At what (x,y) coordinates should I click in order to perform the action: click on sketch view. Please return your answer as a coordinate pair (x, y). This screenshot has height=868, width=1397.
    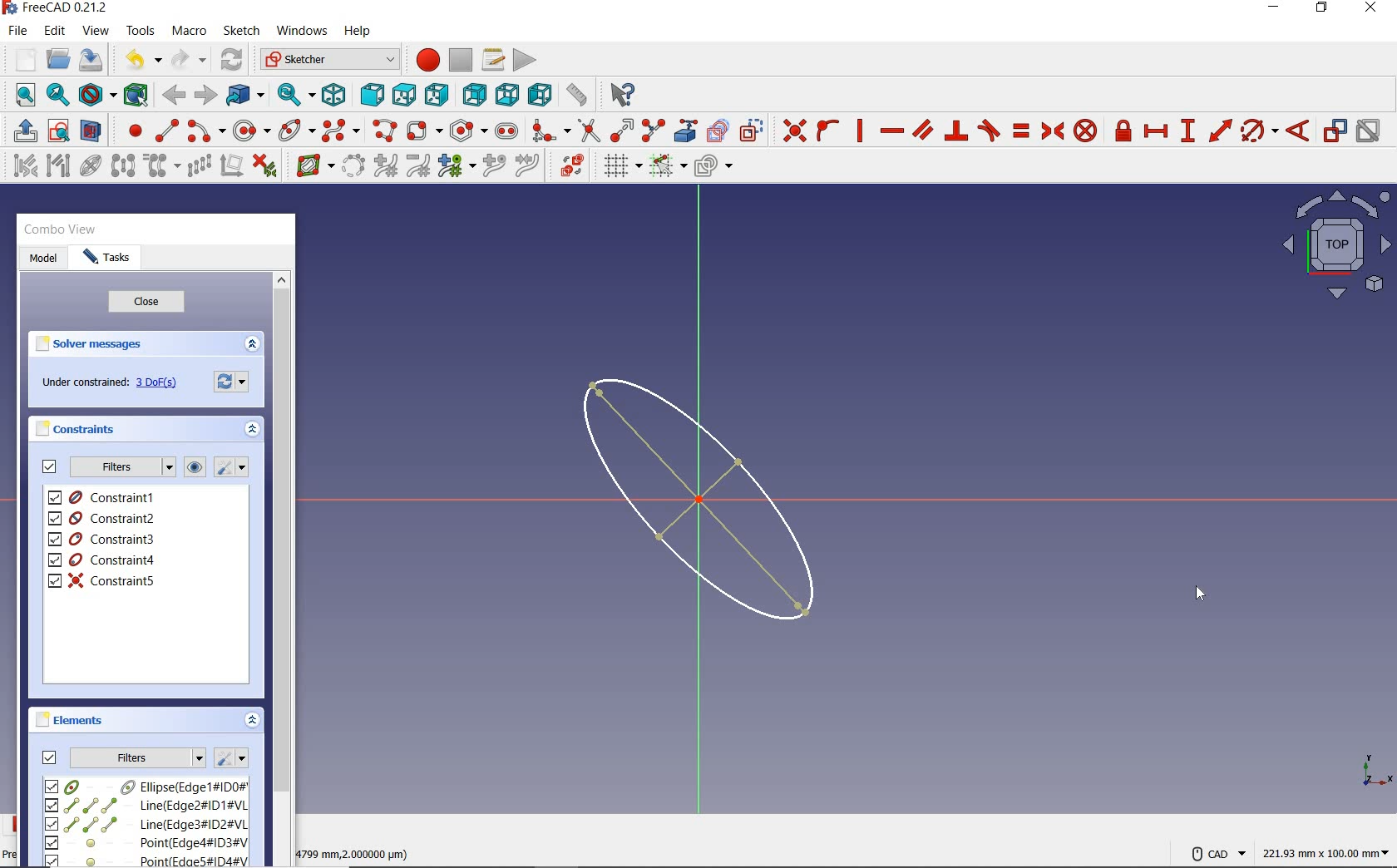
    Looking at the image, I should click on (1334, 244).